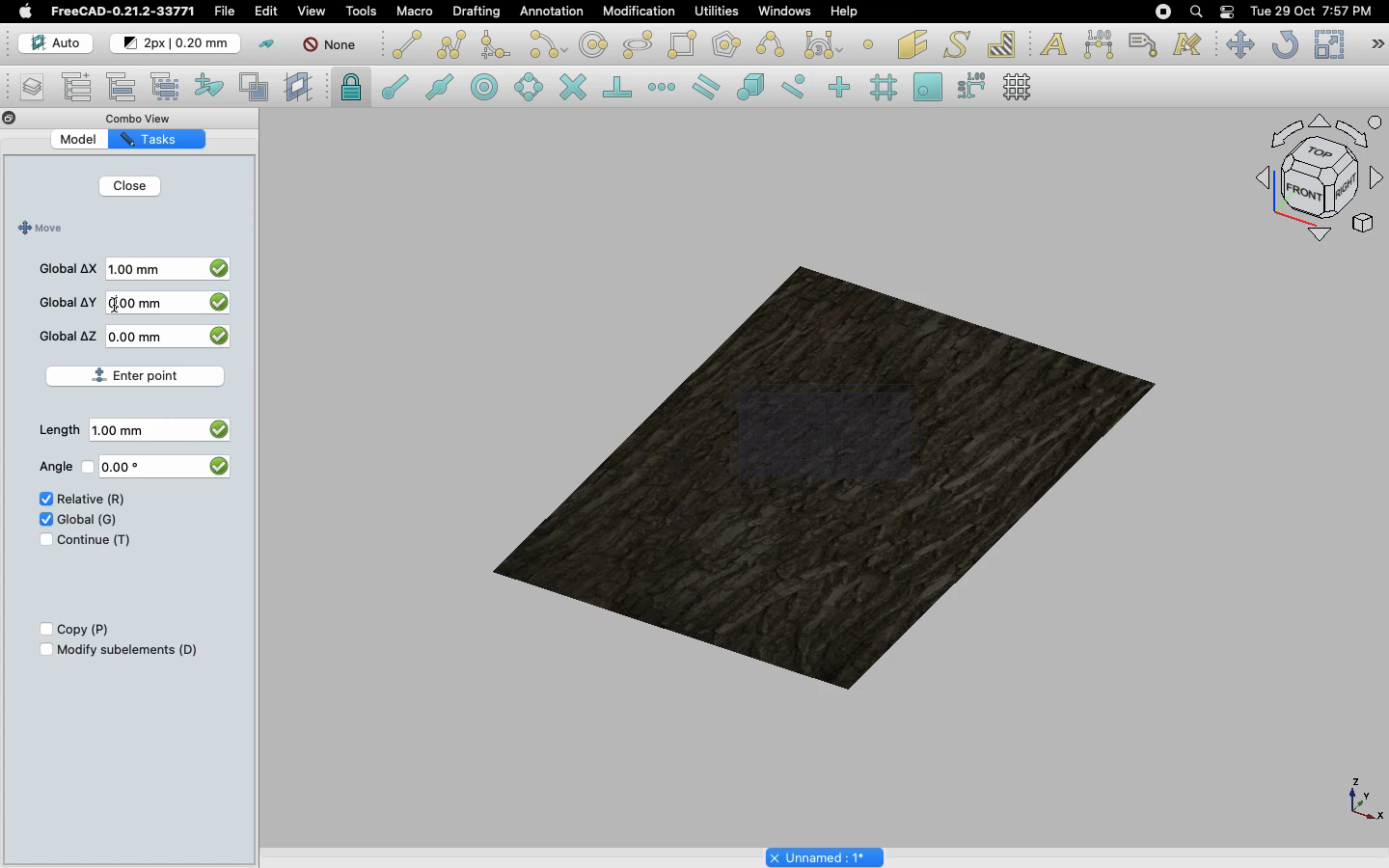 This screenshot has height=868, width=1389. I want to click on Move to group, so click(124, 87).